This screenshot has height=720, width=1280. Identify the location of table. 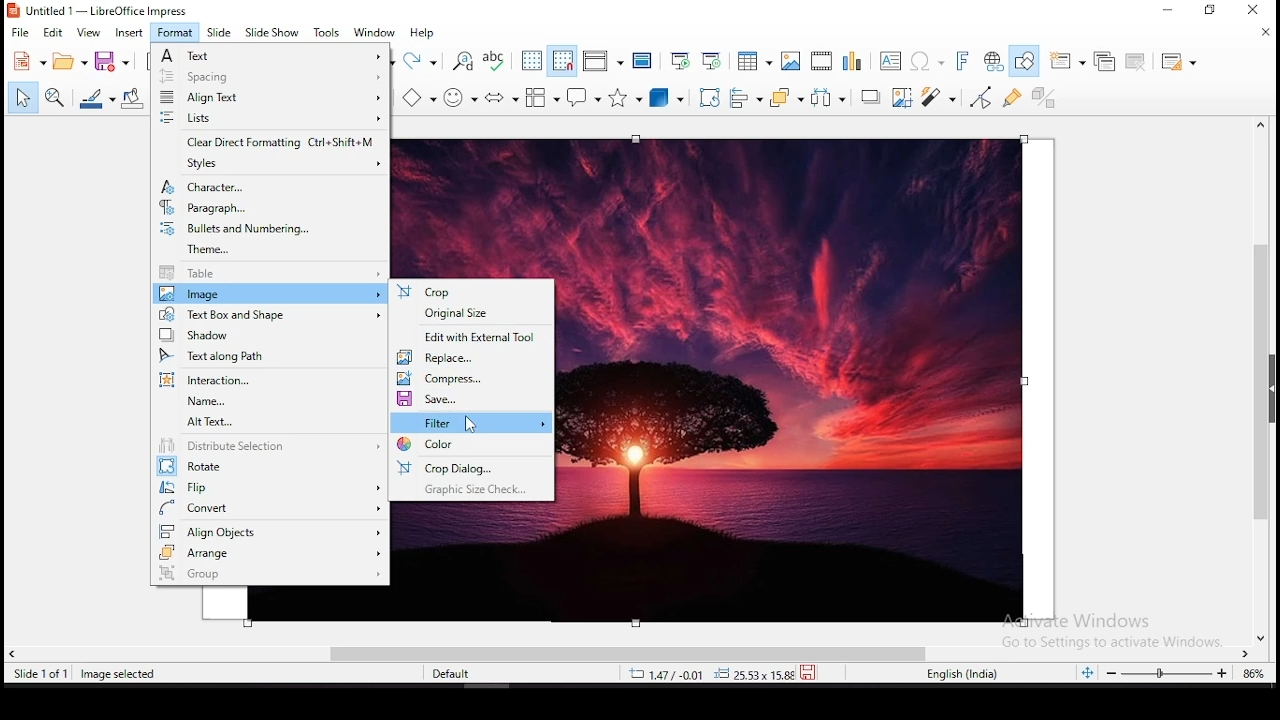
(270, 274).